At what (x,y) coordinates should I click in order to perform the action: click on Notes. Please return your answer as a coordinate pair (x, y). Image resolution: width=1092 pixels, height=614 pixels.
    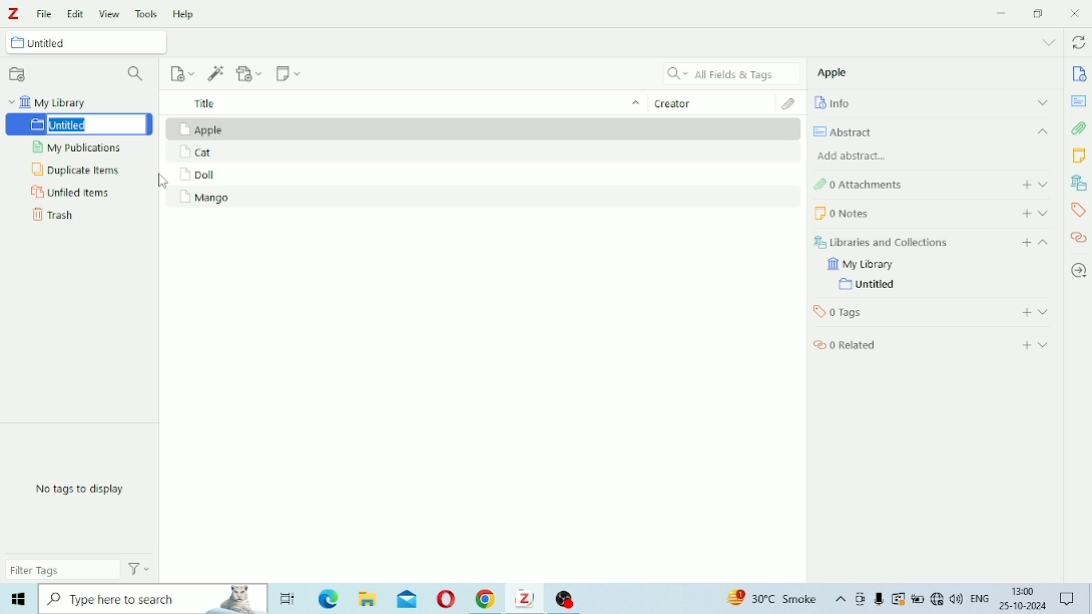
    Looking at the image, I should click on (1079, 156).